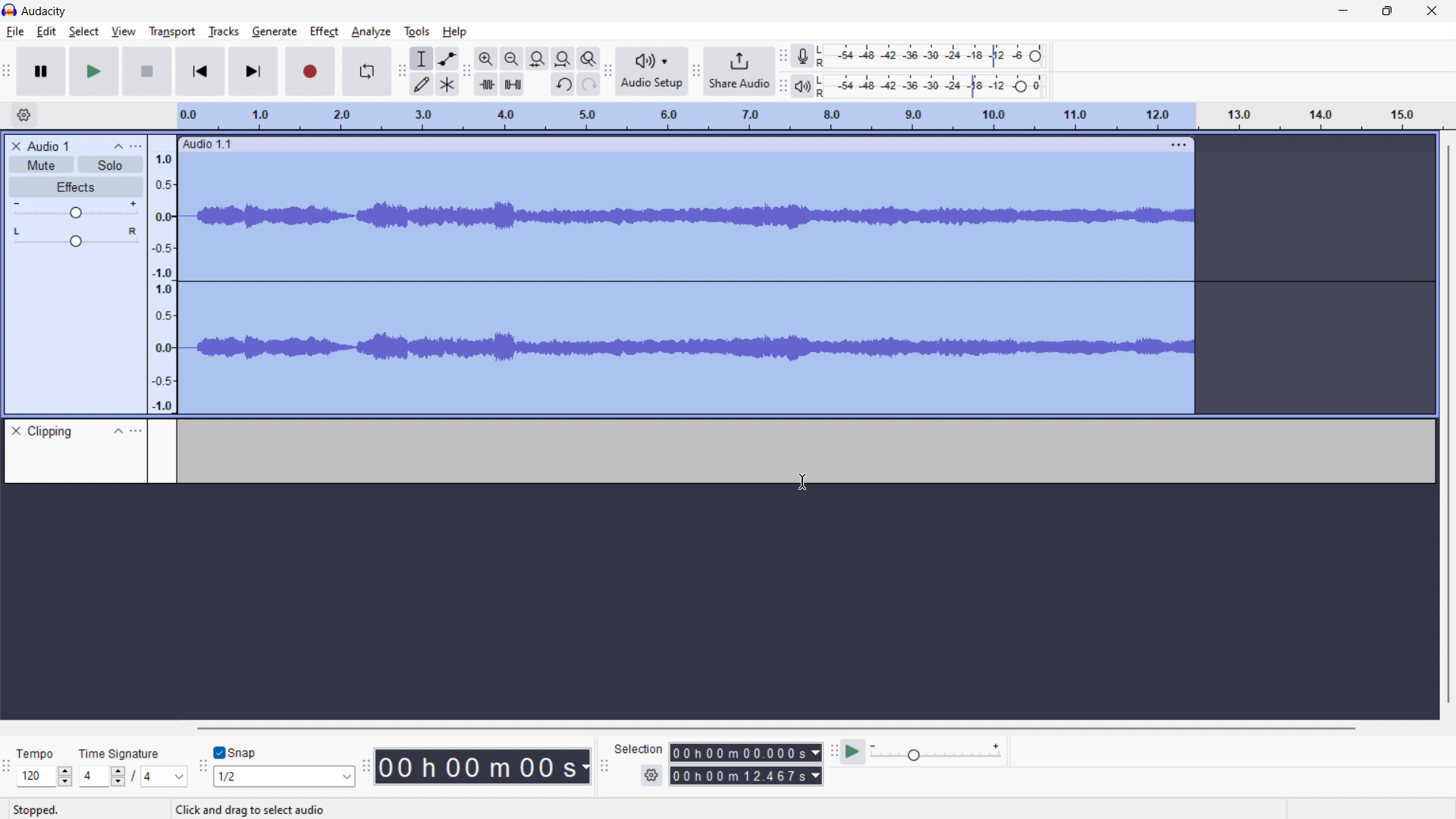  Describe the element at coordinates (930, 55) in the screenshot. I see `recording level` at that location.